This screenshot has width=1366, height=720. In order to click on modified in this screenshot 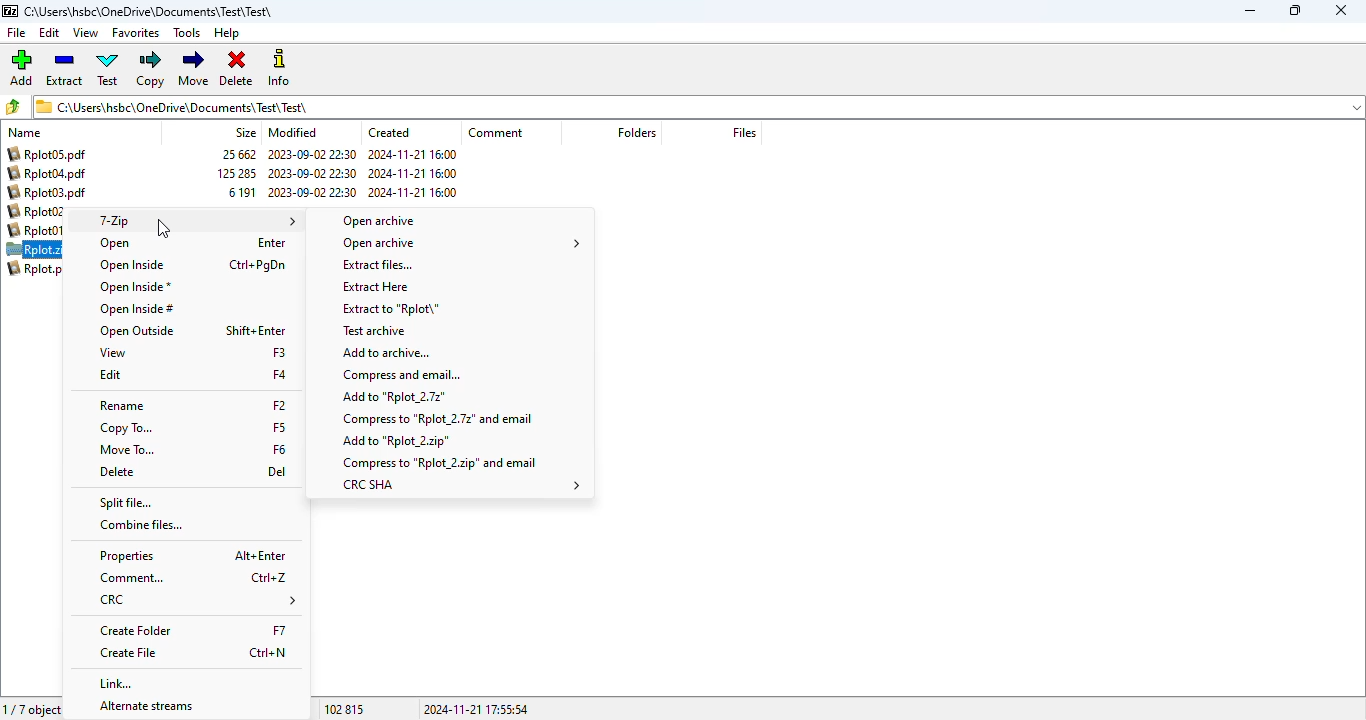, I will do `click(294, 132)`.